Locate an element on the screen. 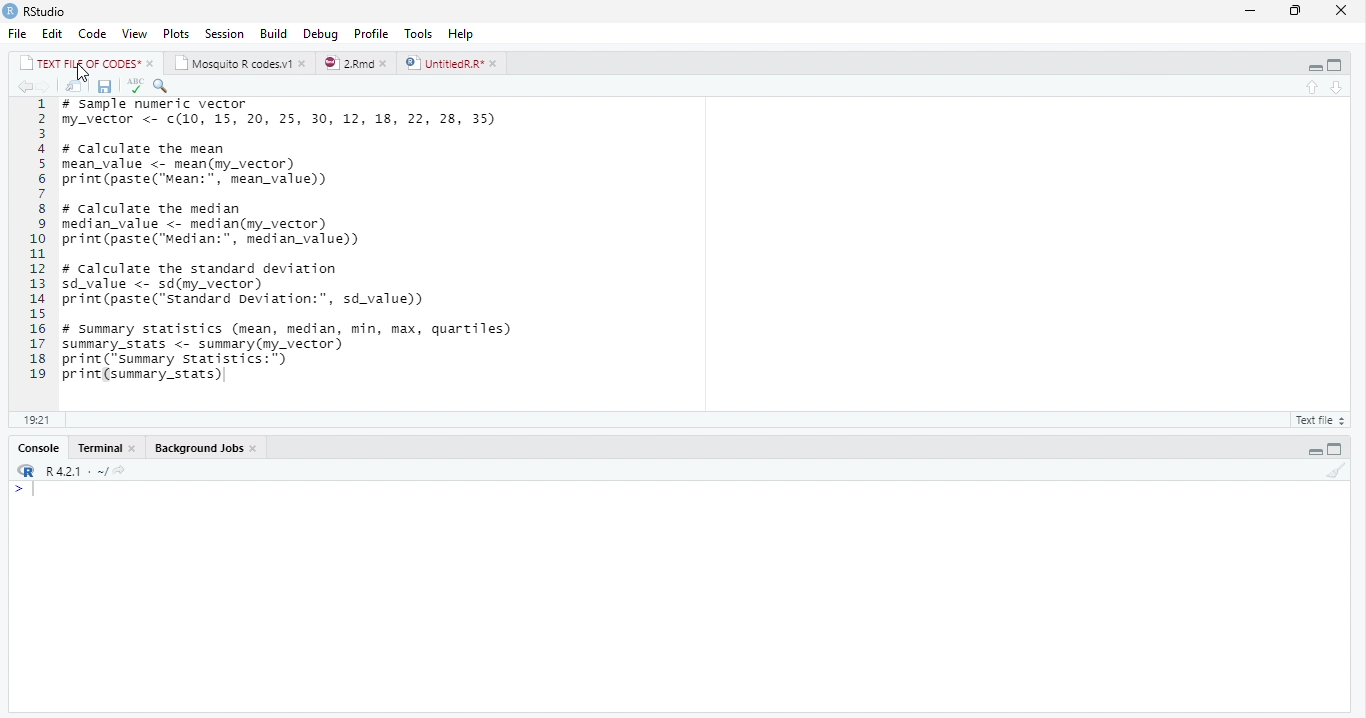 Image resolution: width=1366 pixels, height=718 pixels. line numbers is located at coordinates (33, 239).